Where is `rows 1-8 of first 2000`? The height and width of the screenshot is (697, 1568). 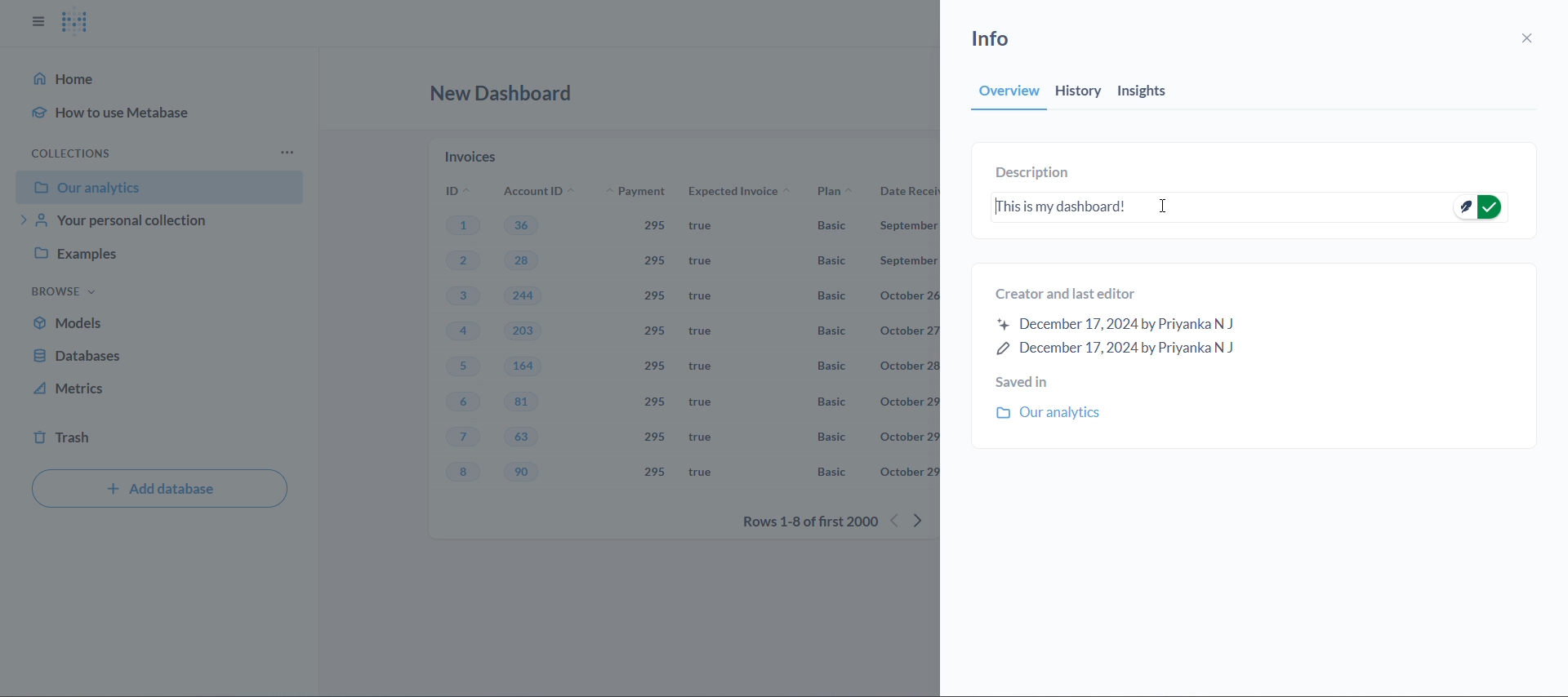 rows 1-8 of first 2000 is located at coordinates (807, 522).